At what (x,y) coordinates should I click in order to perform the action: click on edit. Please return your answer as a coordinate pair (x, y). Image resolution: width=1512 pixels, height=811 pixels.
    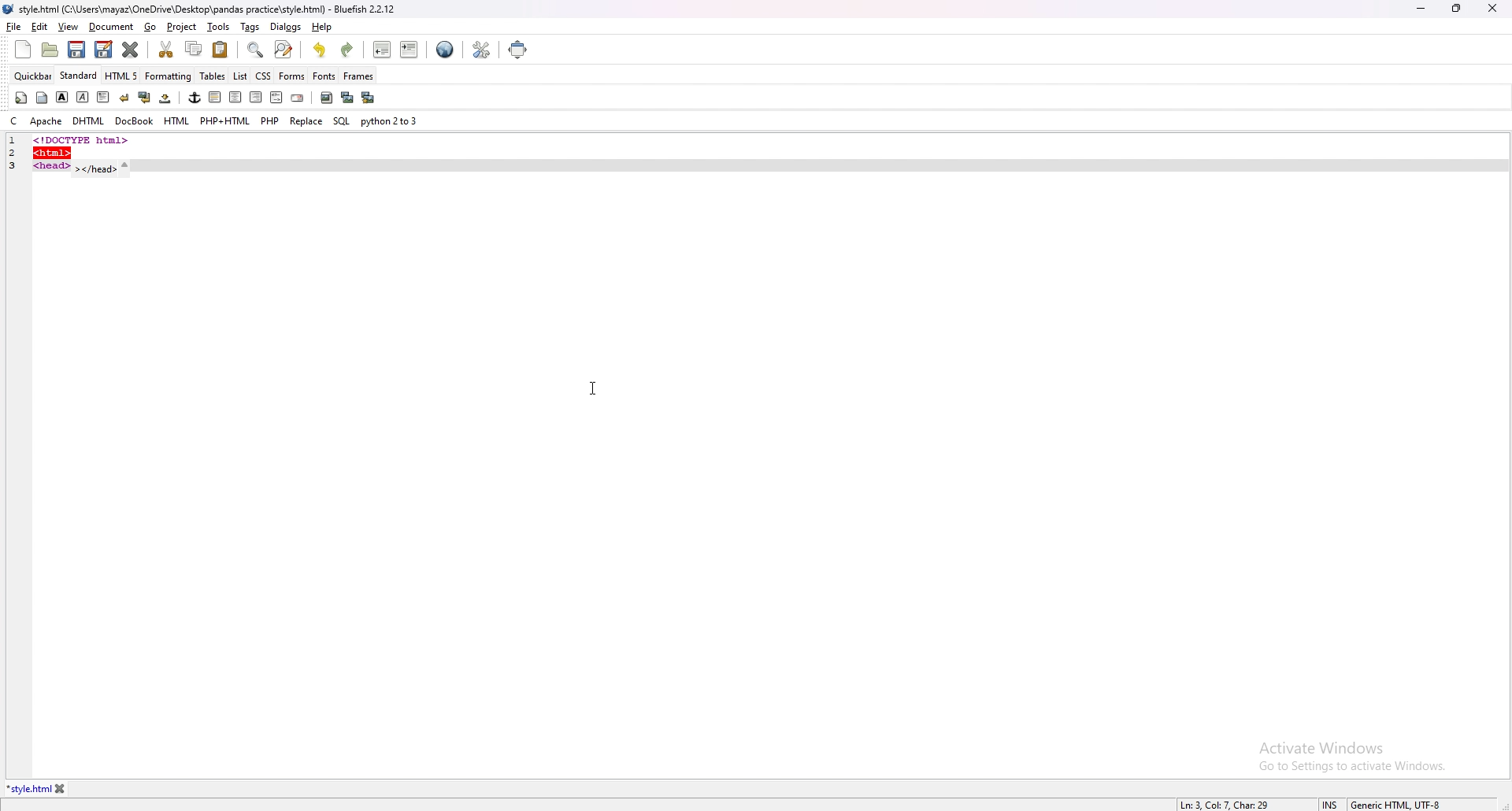
    Looking at the image, I should click on (40, 27).